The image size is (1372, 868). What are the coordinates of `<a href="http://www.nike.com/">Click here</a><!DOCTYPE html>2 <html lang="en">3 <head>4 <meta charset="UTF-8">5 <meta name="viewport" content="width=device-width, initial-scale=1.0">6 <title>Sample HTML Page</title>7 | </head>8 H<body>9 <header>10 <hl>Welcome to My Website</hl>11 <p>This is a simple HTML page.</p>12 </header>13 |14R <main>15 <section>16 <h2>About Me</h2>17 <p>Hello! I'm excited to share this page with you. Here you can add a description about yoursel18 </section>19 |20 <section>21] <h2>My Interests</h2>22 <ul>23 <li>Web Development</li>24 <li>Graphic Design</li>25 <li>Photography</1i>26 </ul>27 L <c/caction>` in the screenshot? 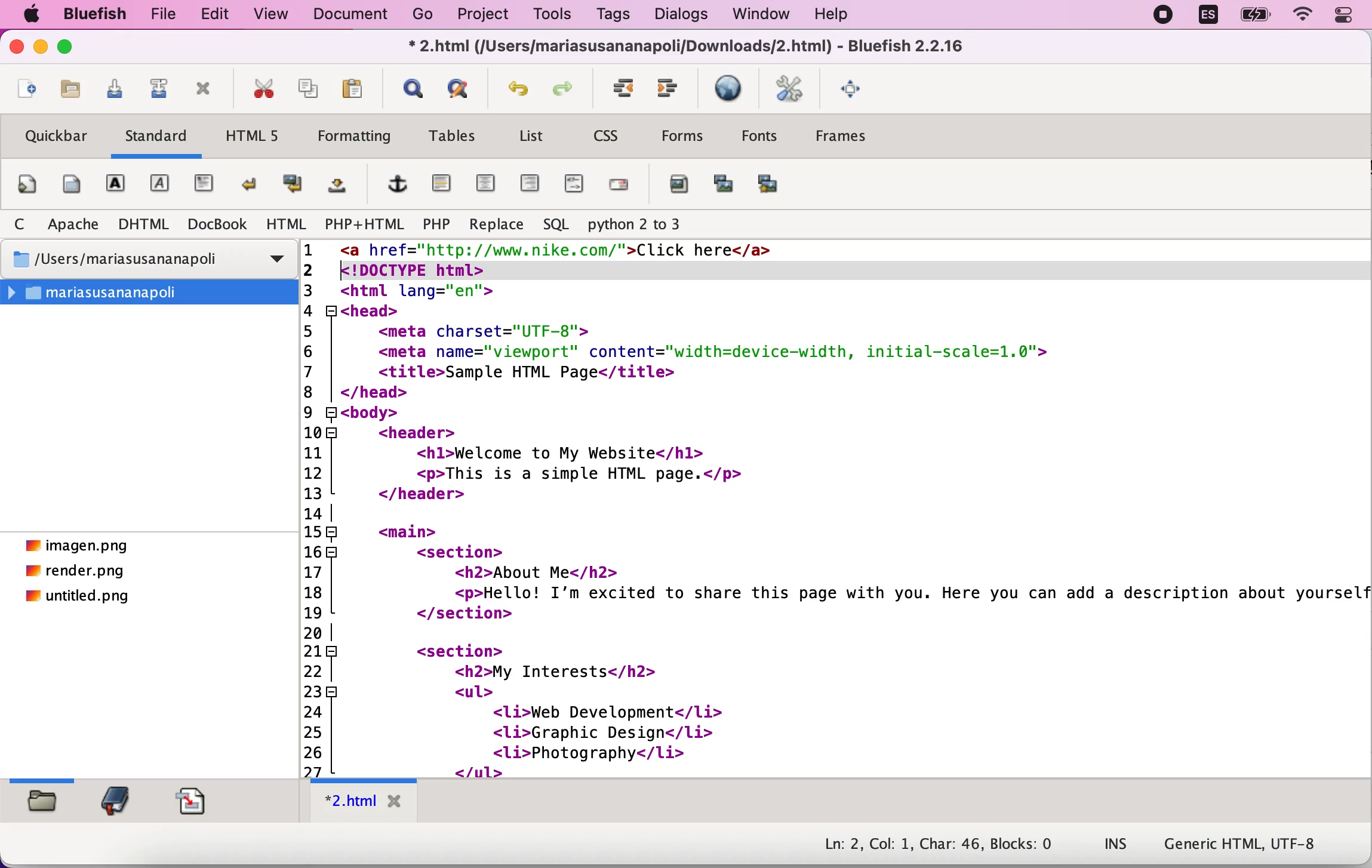 It's located at (832, 511).